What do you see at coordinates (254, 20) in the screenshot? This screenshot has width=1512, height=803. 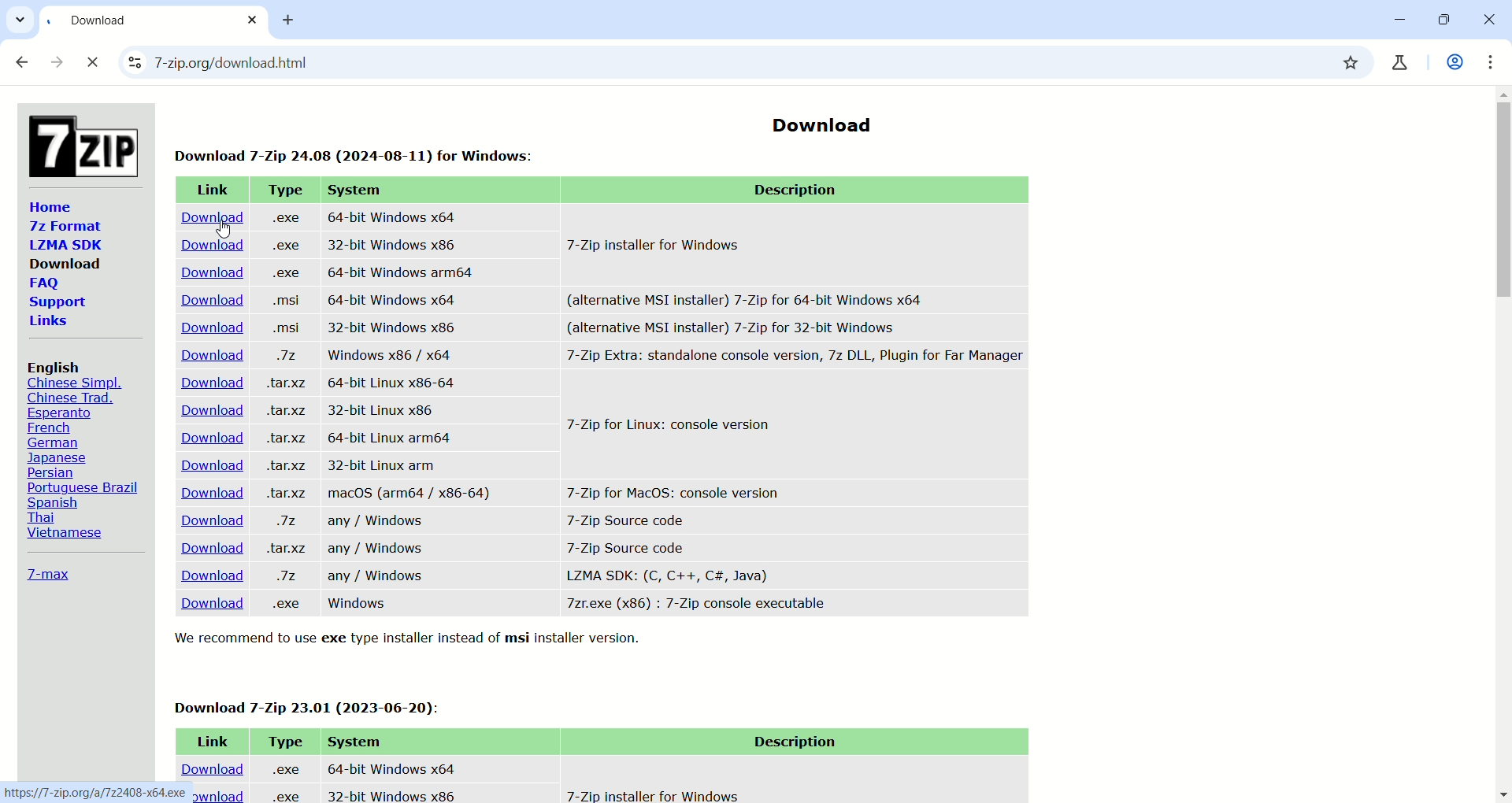 I see `close tab` at bounding box center [254, 20].